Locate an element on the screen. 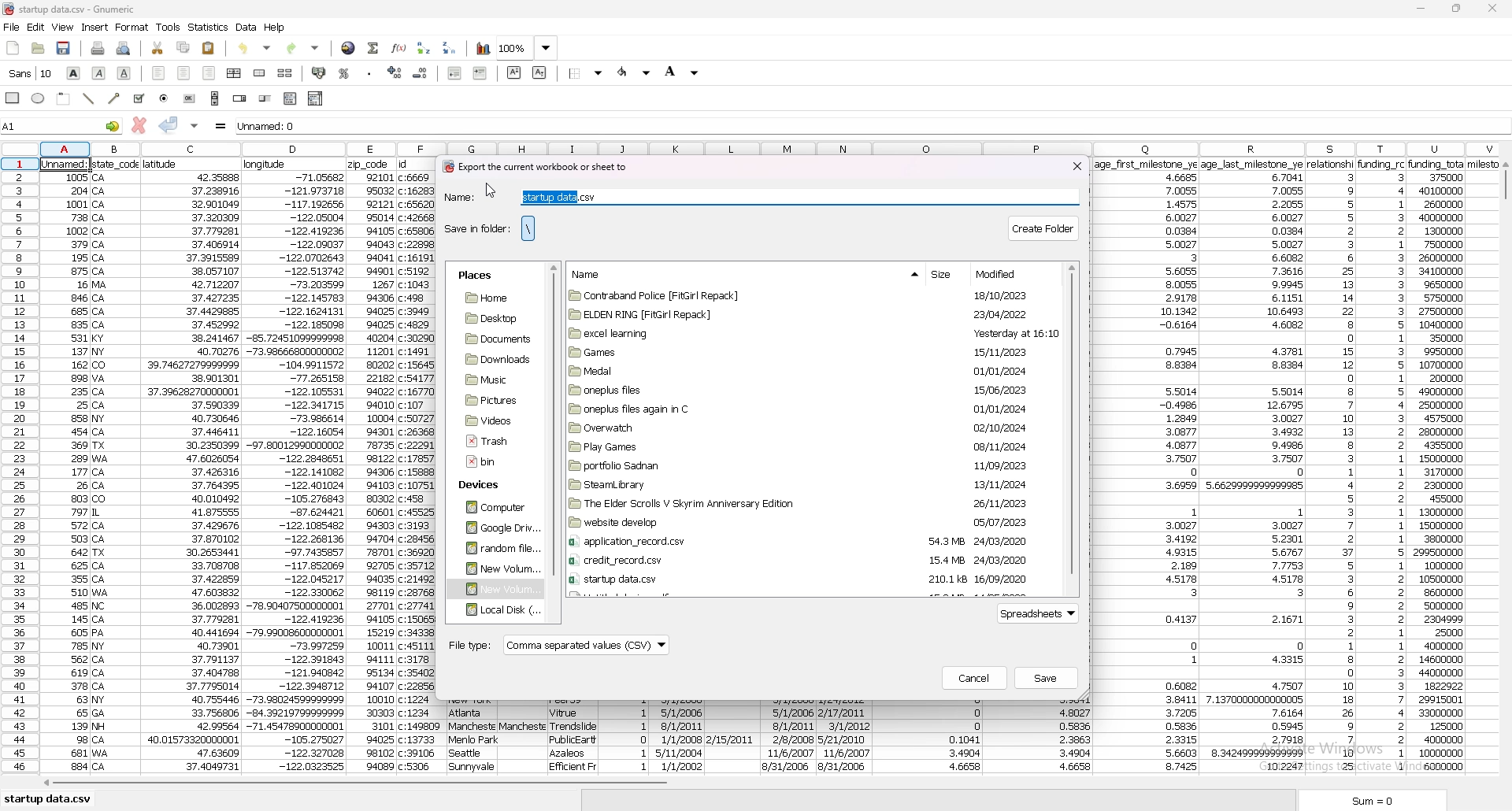 This screenshot has height=811, width=1512. cancel changes is located at coordinates (138, 125).